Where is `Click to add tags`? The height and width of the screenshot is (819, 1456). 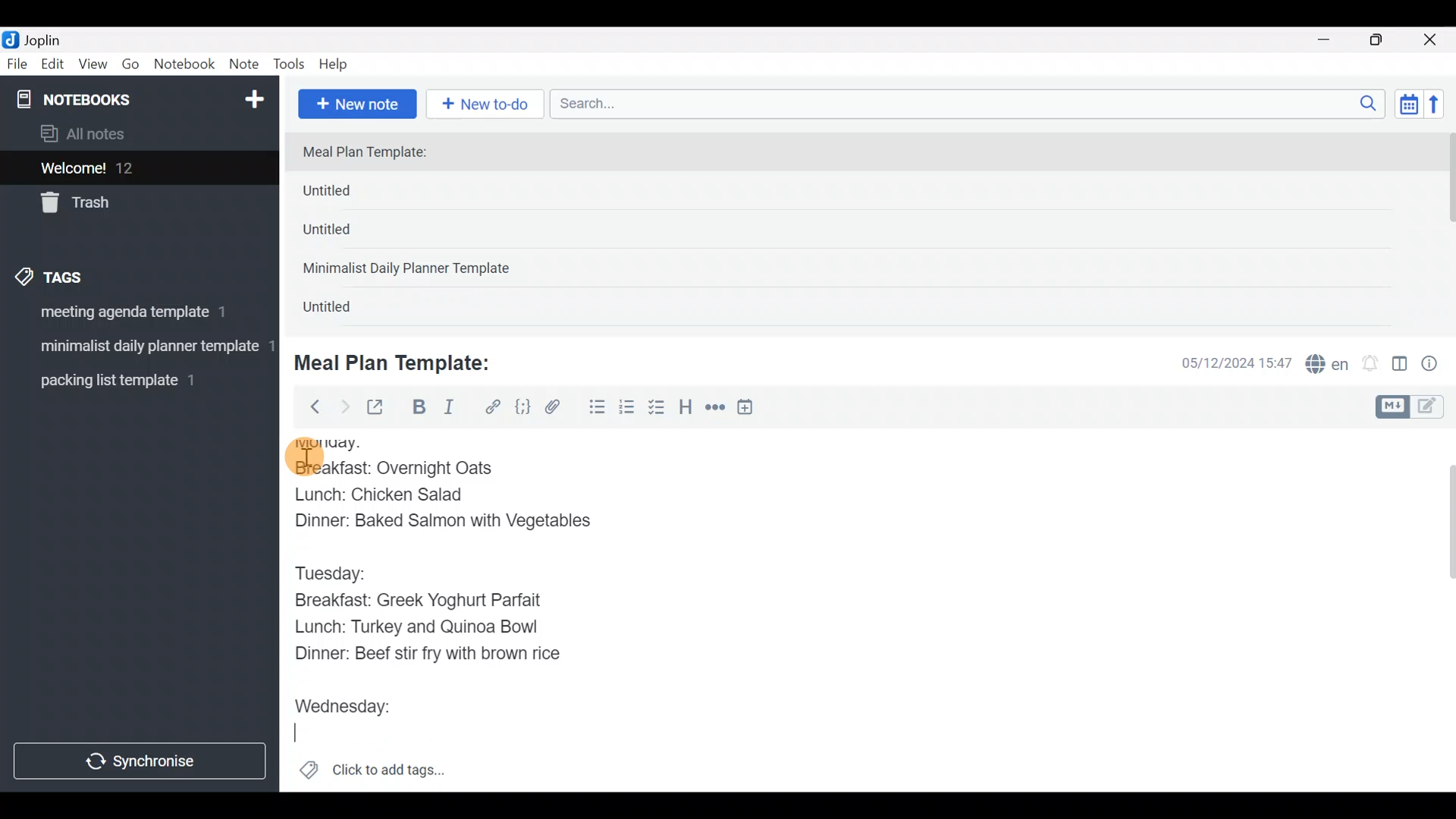 Click to add tags is located at coordinates (372, 775).